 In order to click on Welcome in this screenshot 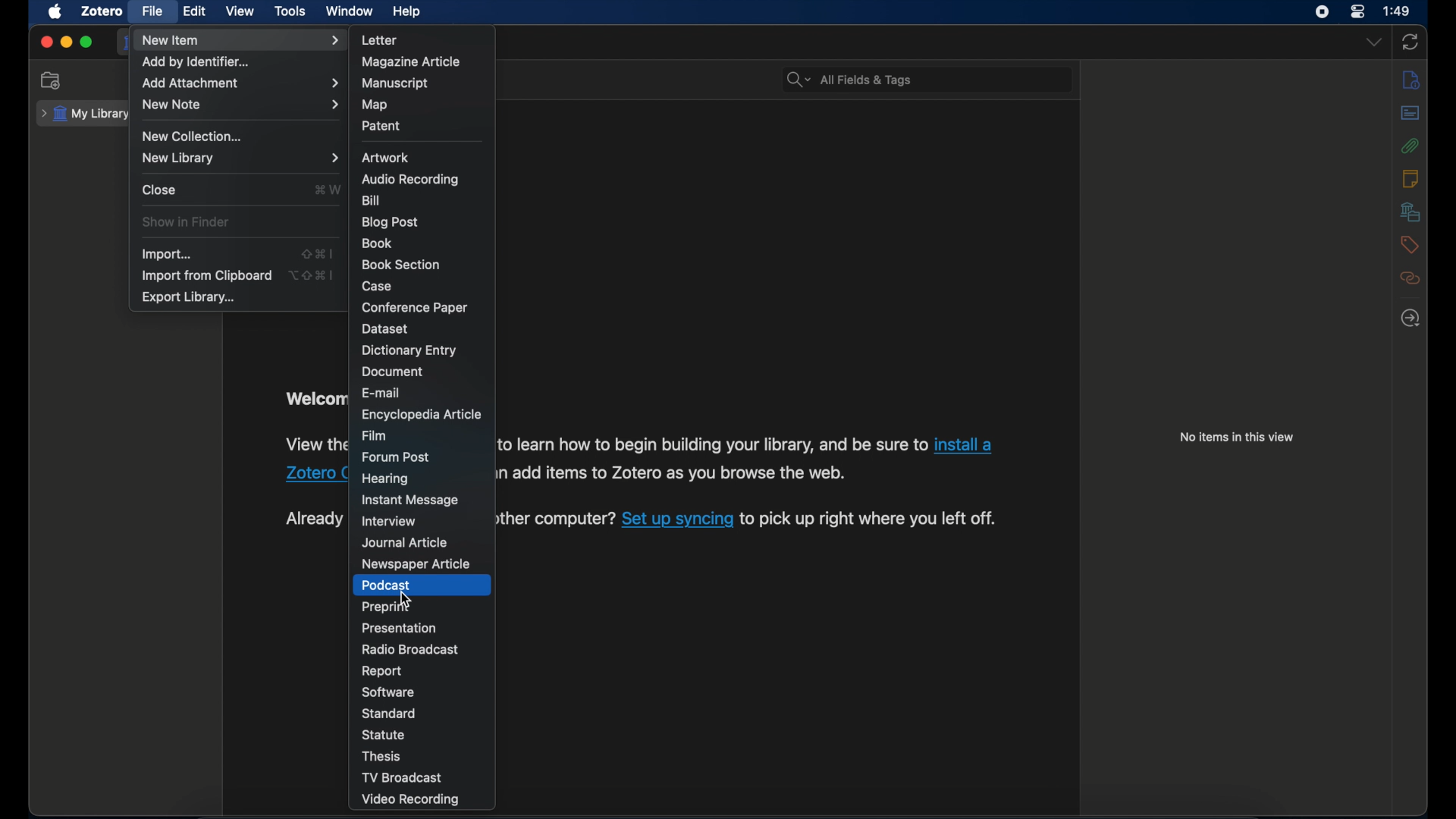, I will do `click(314, 398)`.